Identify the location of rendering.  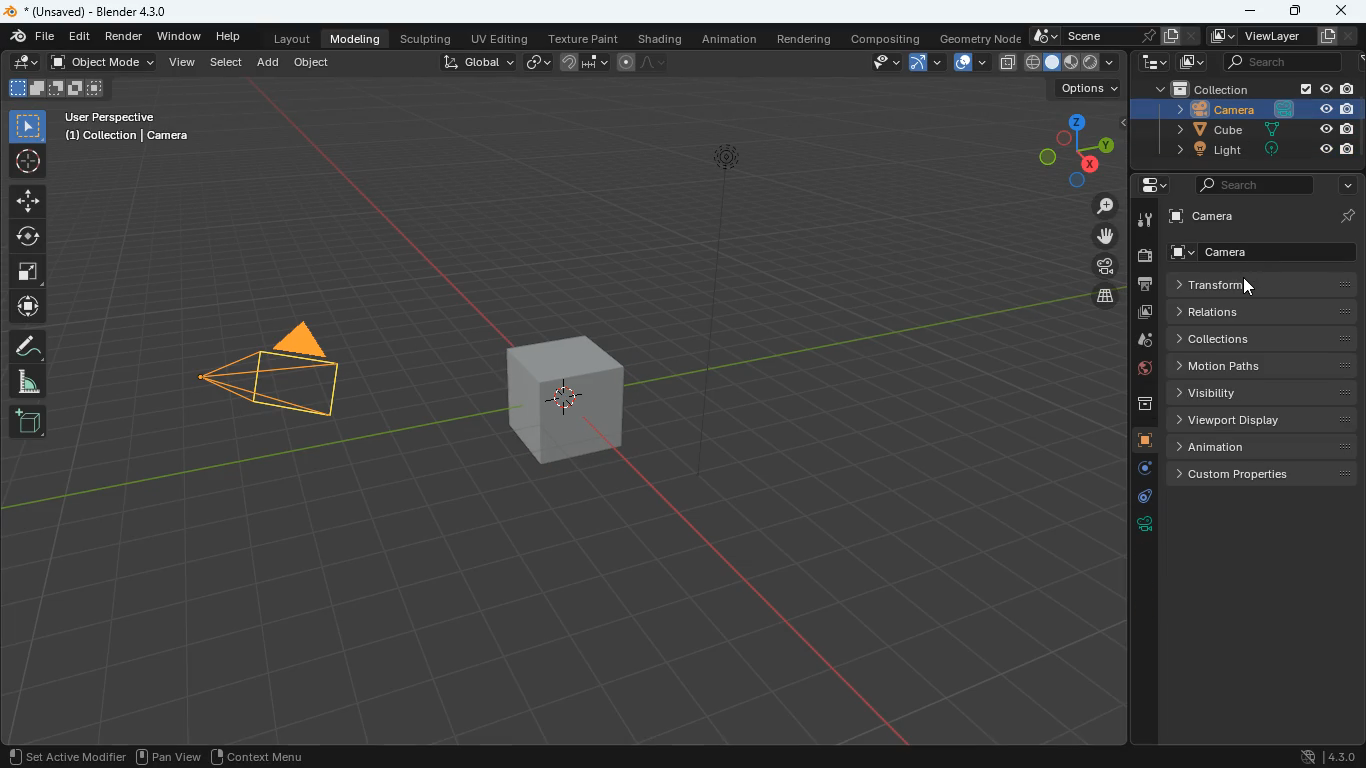
(805, 38).